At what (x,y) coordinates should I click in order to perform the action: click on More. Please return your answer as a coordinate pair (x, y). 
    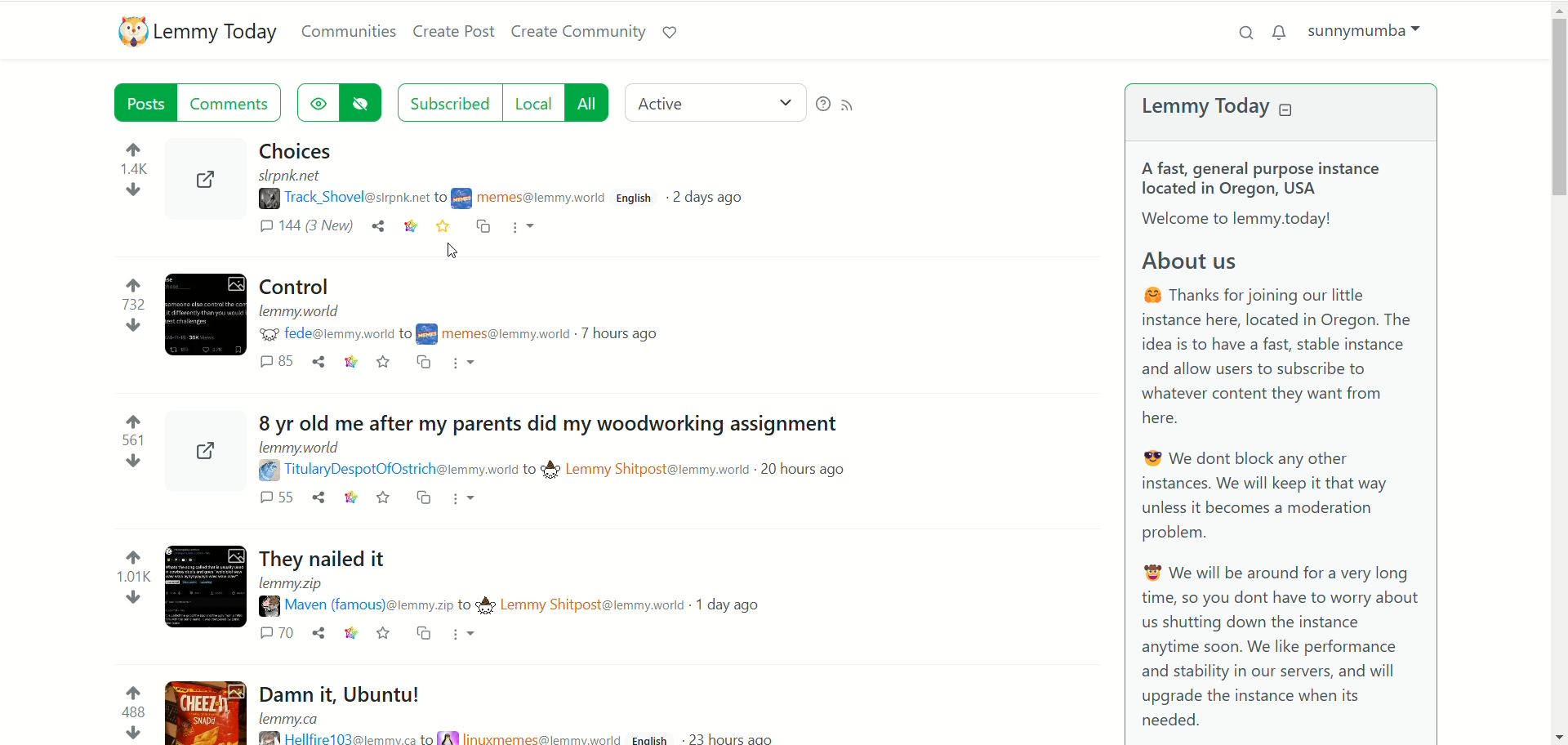
    Looking at the image, I should click on (465, 364).